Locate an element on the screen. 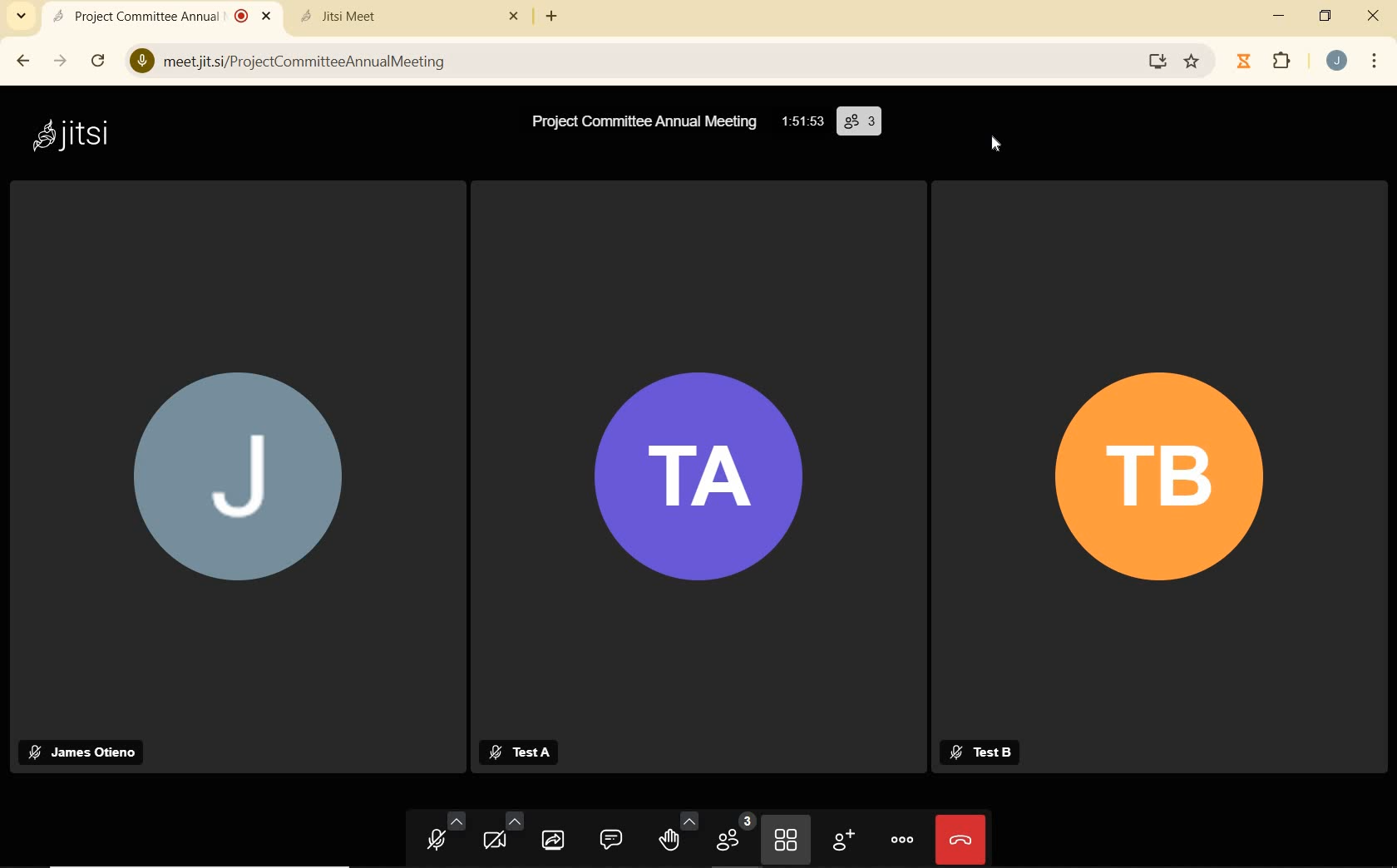  participant's Profile Picture is located at coordinates (237, 489).